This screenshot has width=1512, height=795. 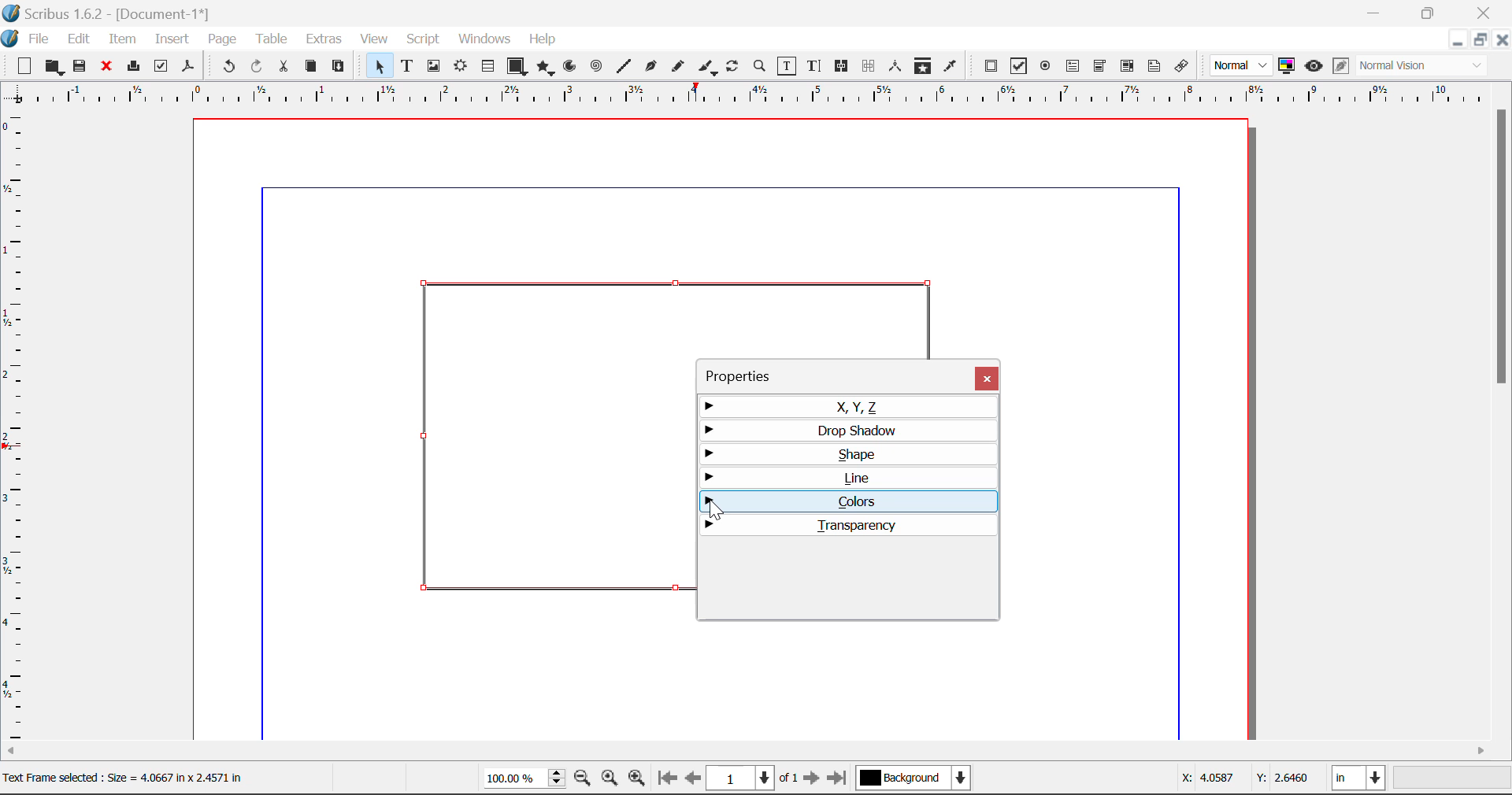 What do you see at coordinates (787, 65) in the screenshot?
I see `Edit Contents of Frame` at bounding box center [787, 65].